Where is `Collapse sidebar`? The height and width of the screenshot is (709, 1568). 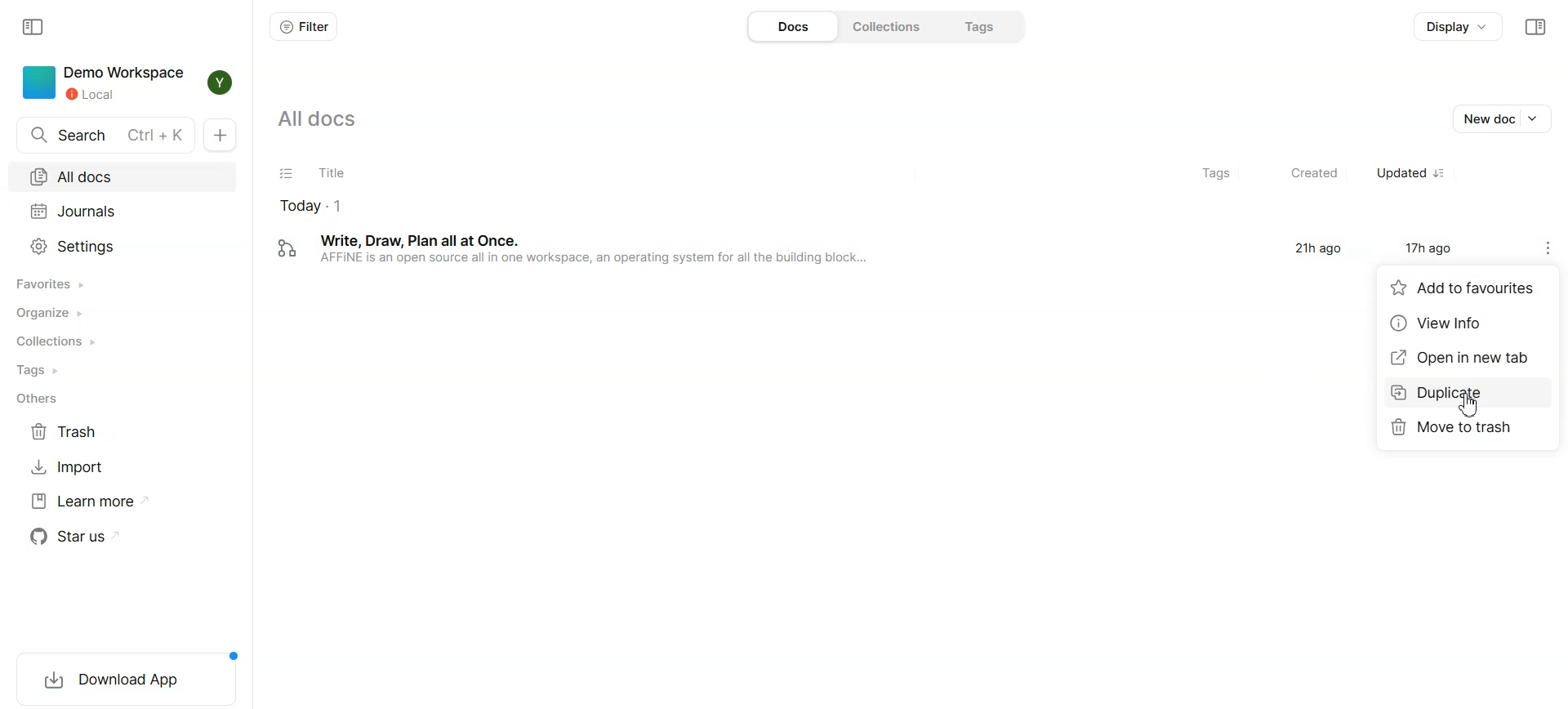
Collapse sidebar is located at coordinates (33, 26).